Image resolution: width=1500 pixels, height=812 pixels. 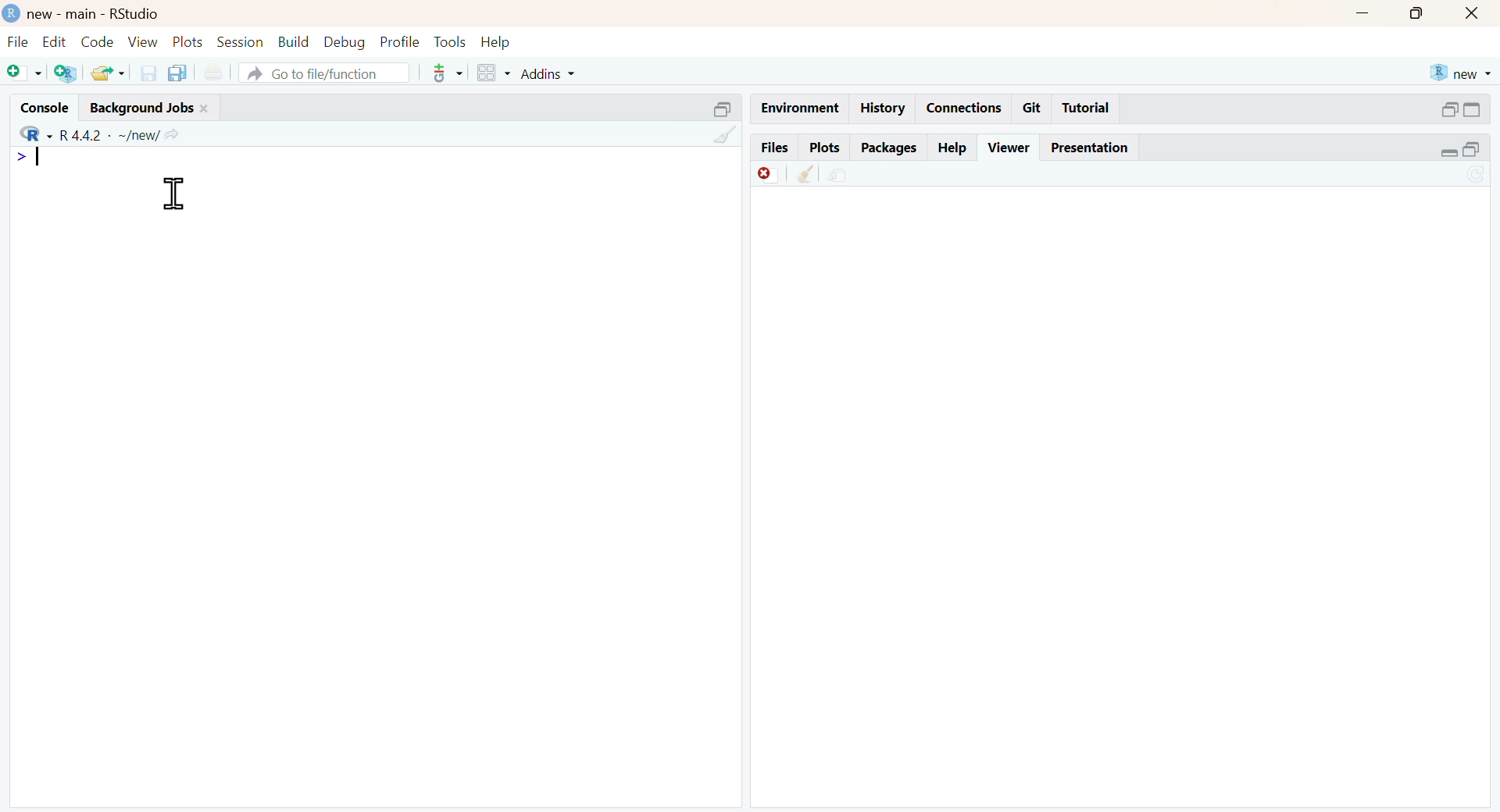 I want to click on logo, so click(x=12, y=13).